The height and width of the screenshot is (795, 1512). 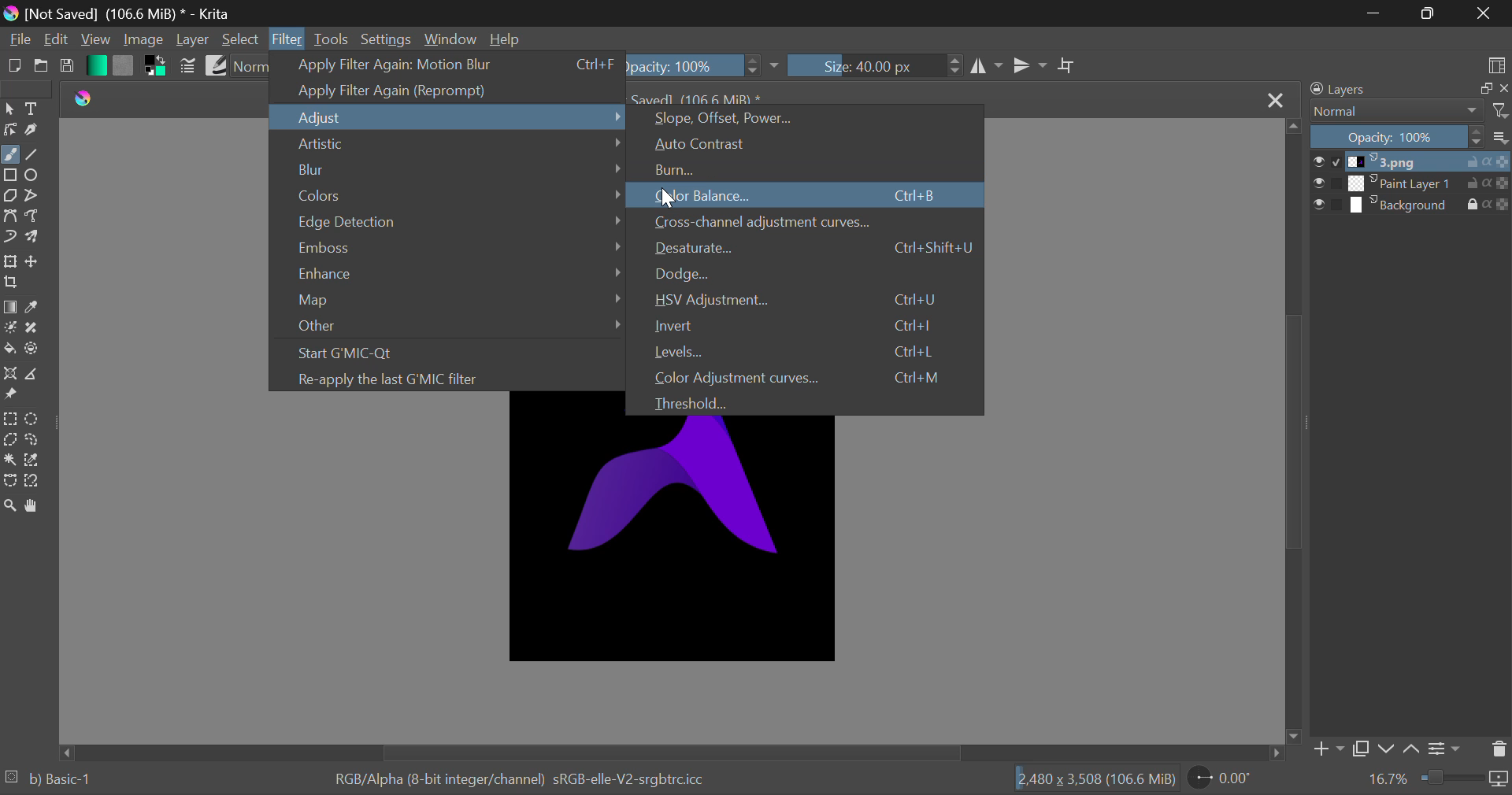 What do you see at coordinates (10, 480) in the screenshot?
I see `Bezier Curve Selection` at bounding box center [10, 480].